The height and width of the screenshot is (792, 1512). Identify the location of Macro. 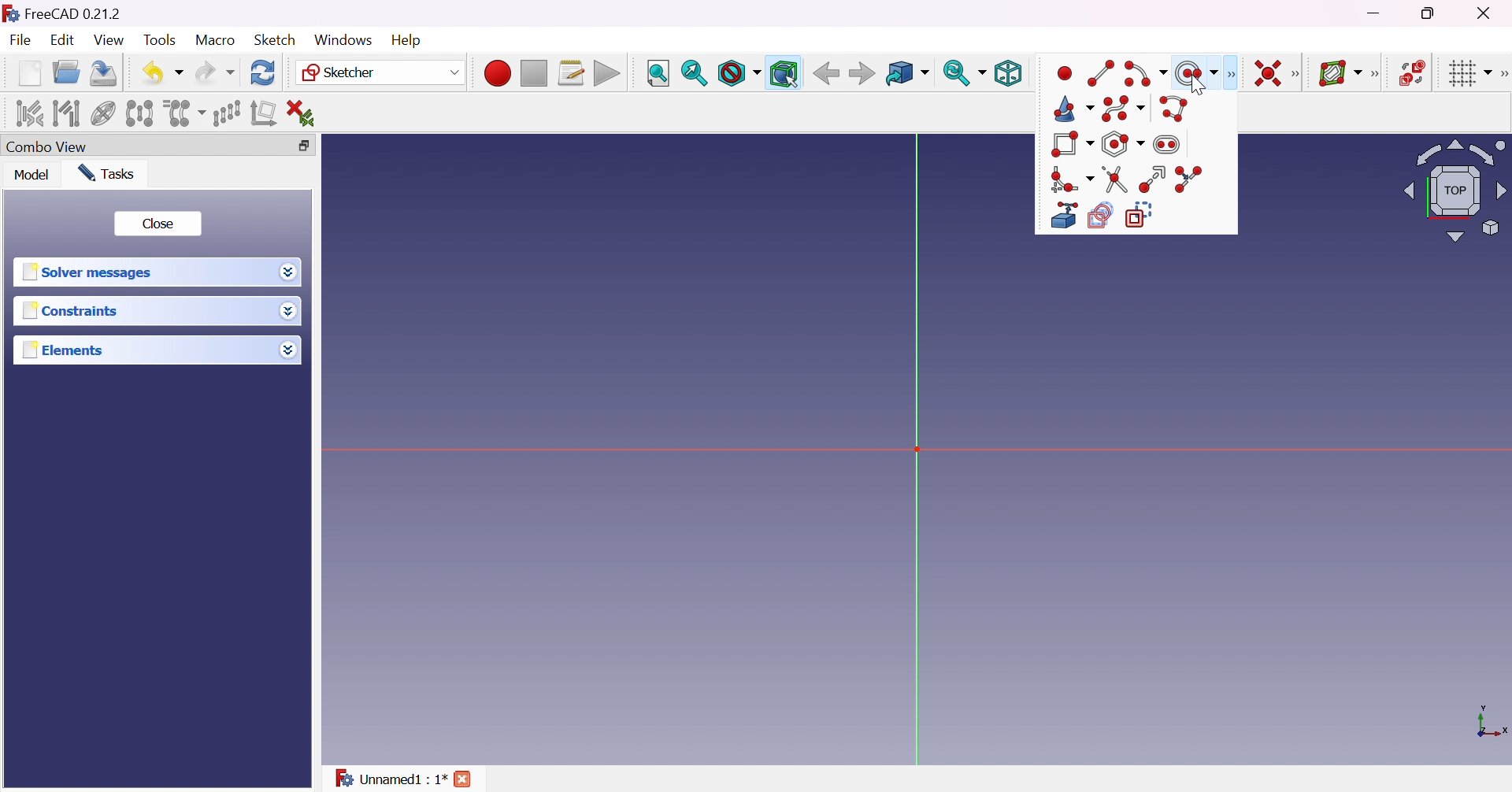
(216, 39).